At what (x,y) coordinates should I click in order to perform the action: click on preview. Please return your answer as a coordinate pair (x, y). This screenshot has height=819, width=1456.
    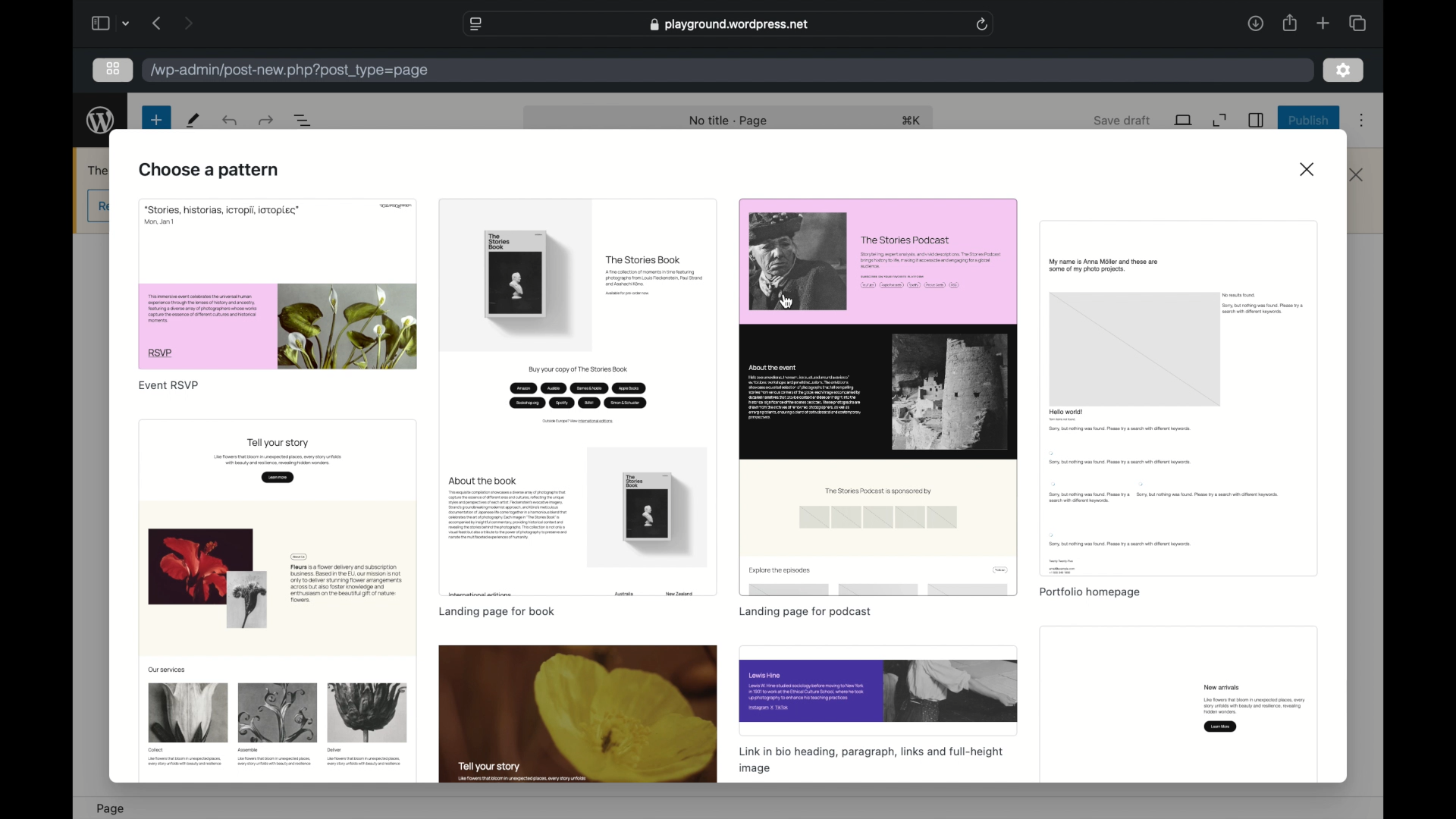
    Looking at the image, I should click on (1179, 705).